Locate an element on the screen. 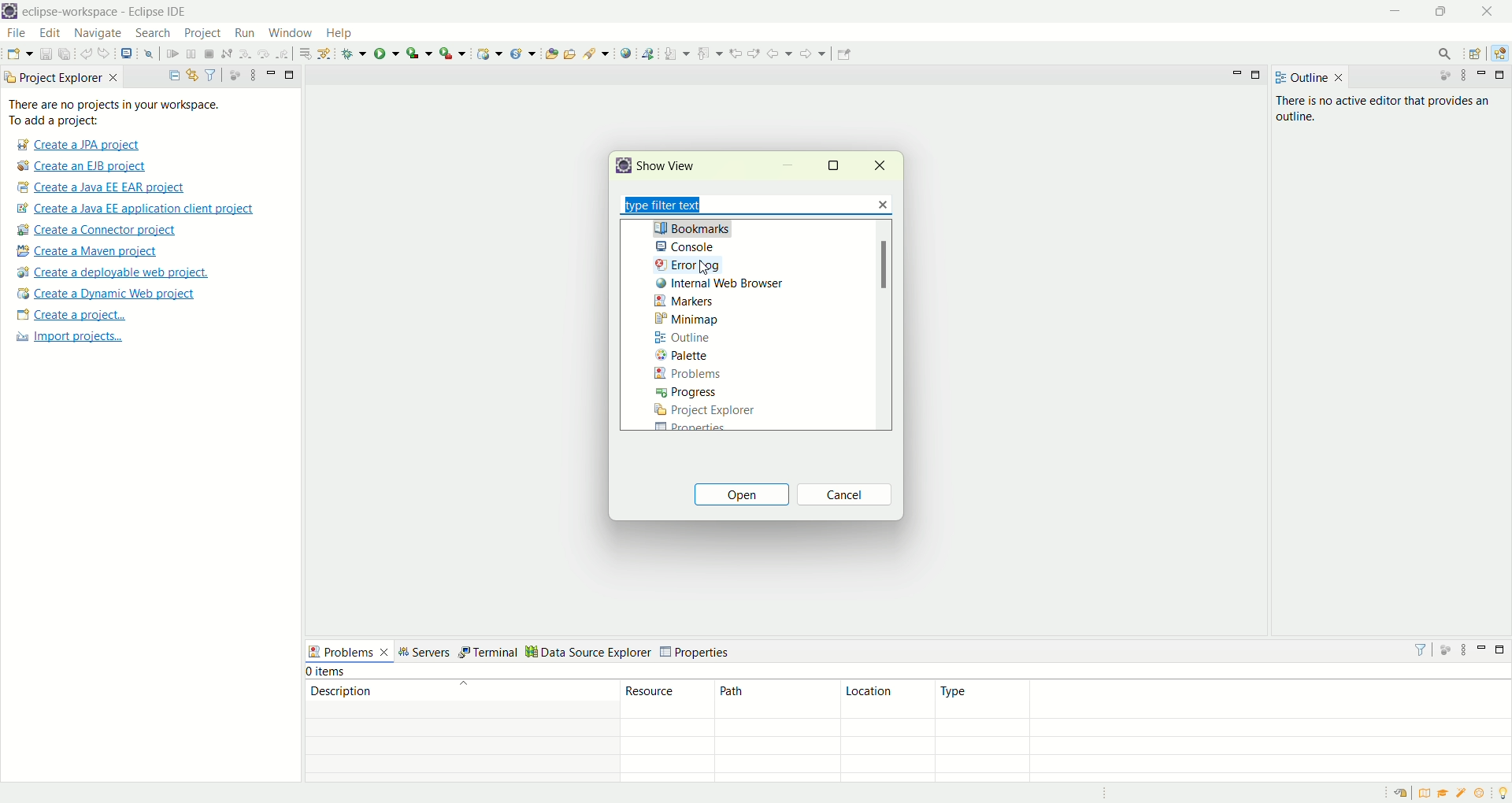 The width and height of the screenshot is (1512, 803). collapse all is located at coordinates (172, 73).